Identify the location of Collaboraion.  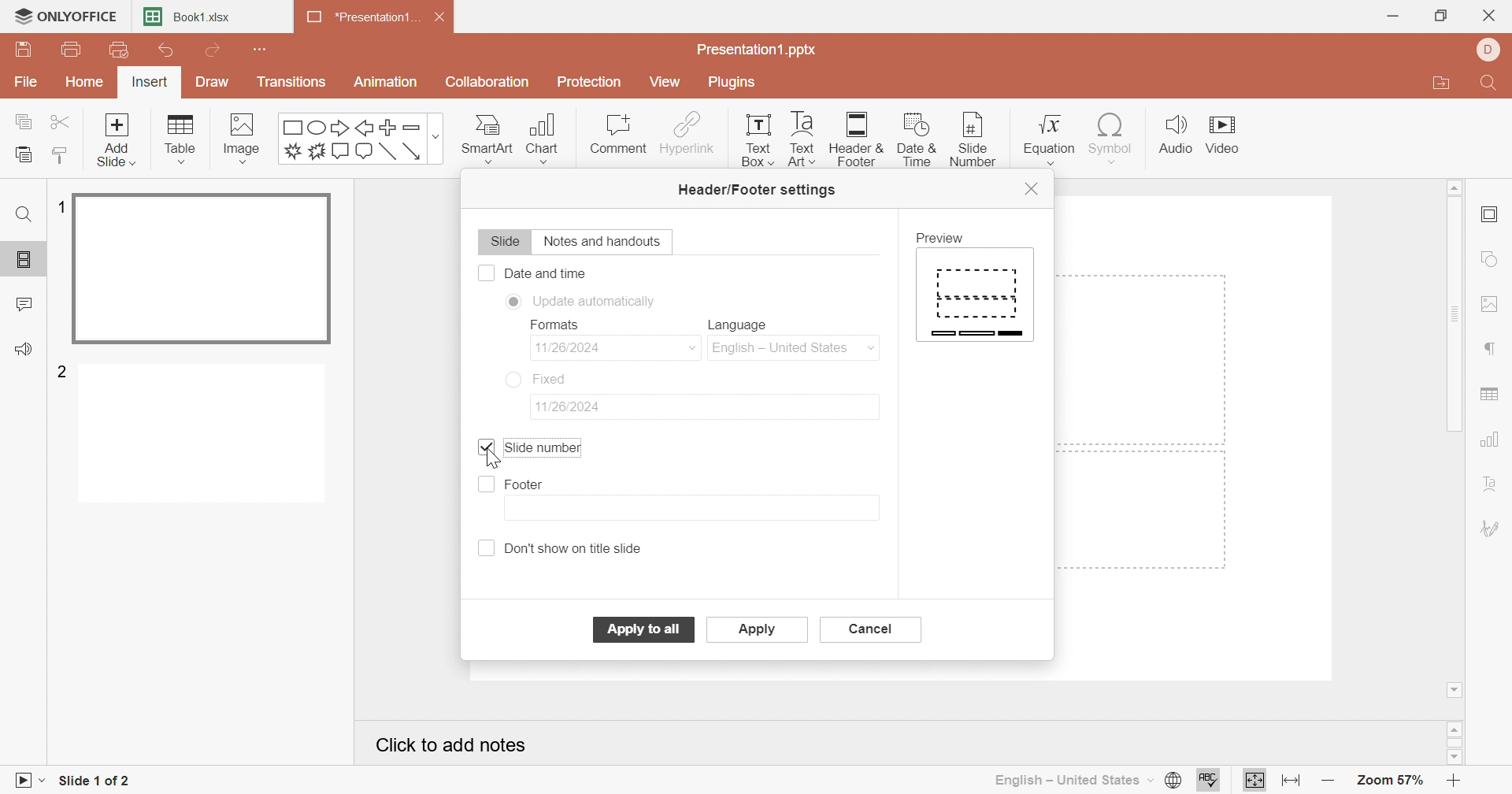
(490, 84).